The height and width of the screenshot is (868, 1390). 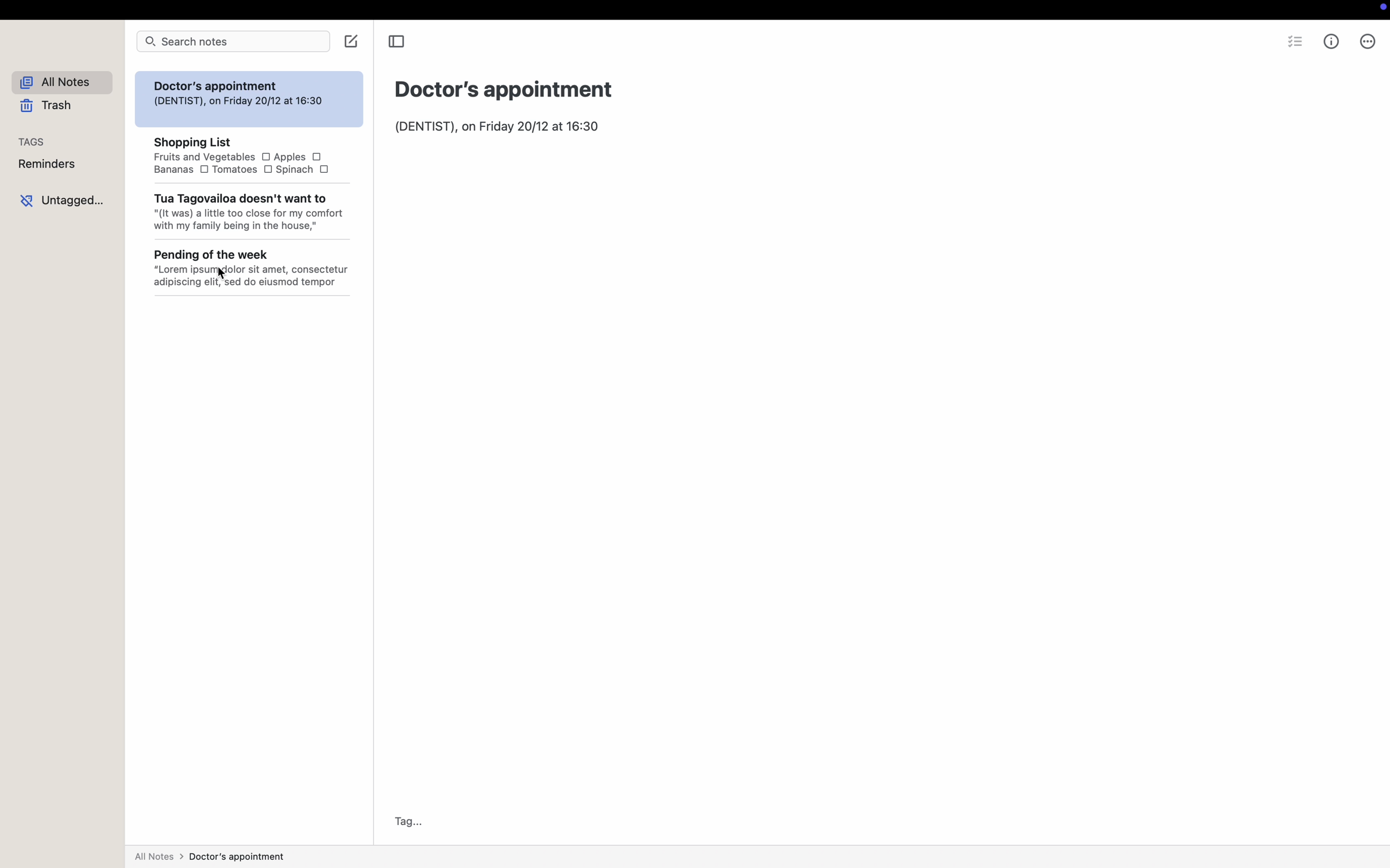 What do you see at coordinates (412, 824) in the screenshot?
I see `tag` at bounding box center [412, 824].